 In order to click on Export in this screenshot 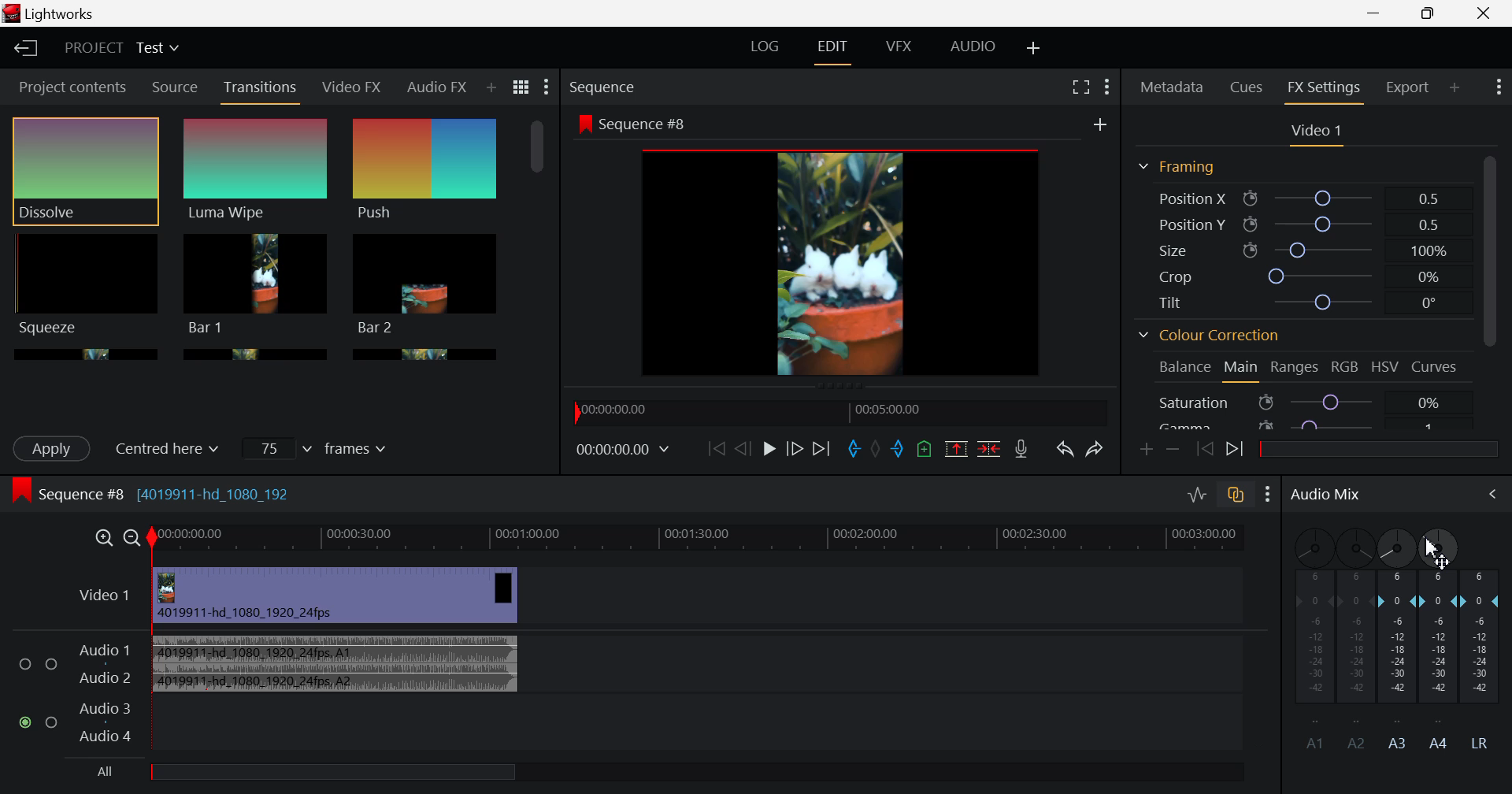, I will do `click(1408, 87)`.